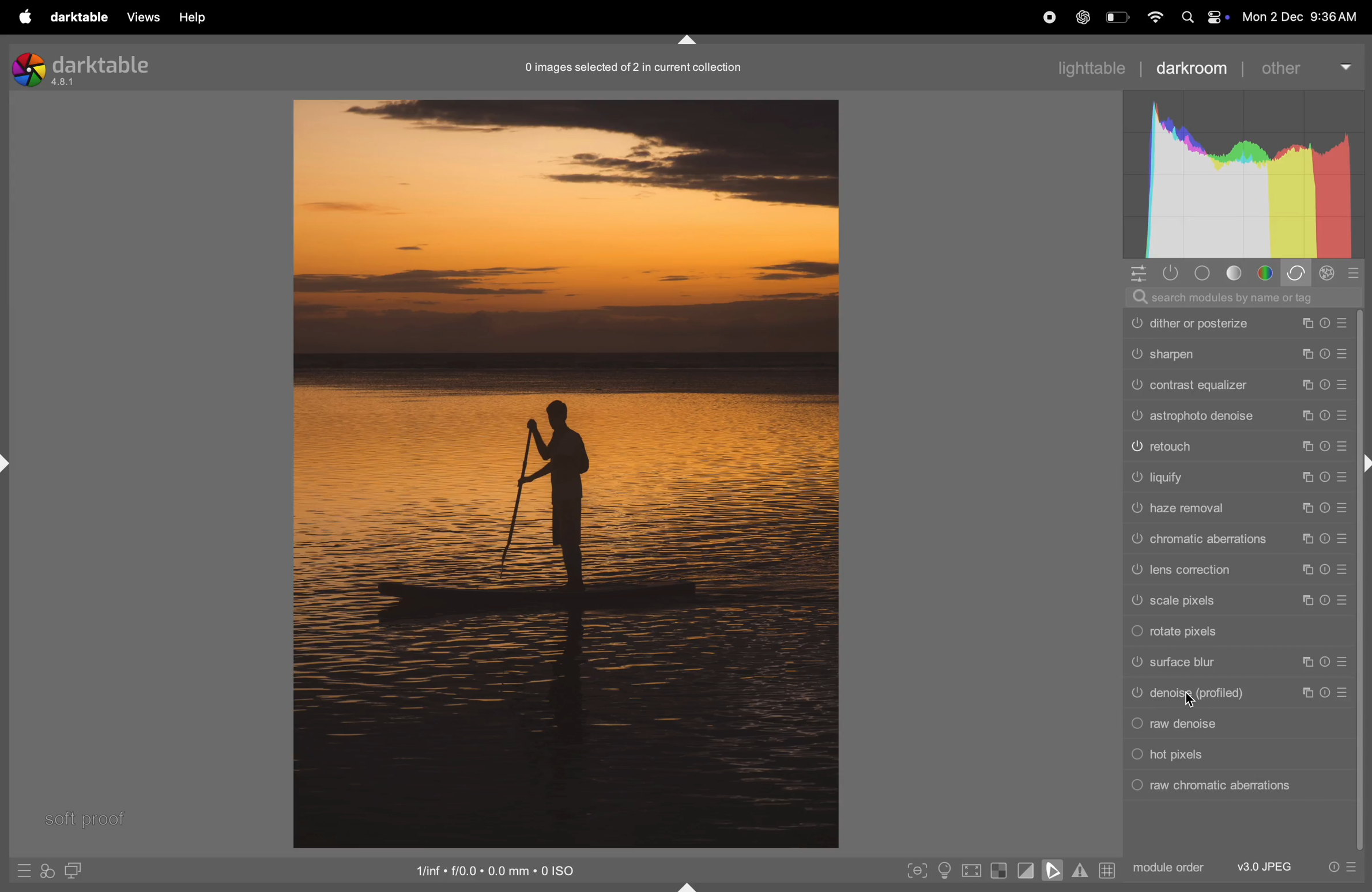 This screenshot has width=1372, height=892. I want to click on contrast equalizer, so click(1238, 381).